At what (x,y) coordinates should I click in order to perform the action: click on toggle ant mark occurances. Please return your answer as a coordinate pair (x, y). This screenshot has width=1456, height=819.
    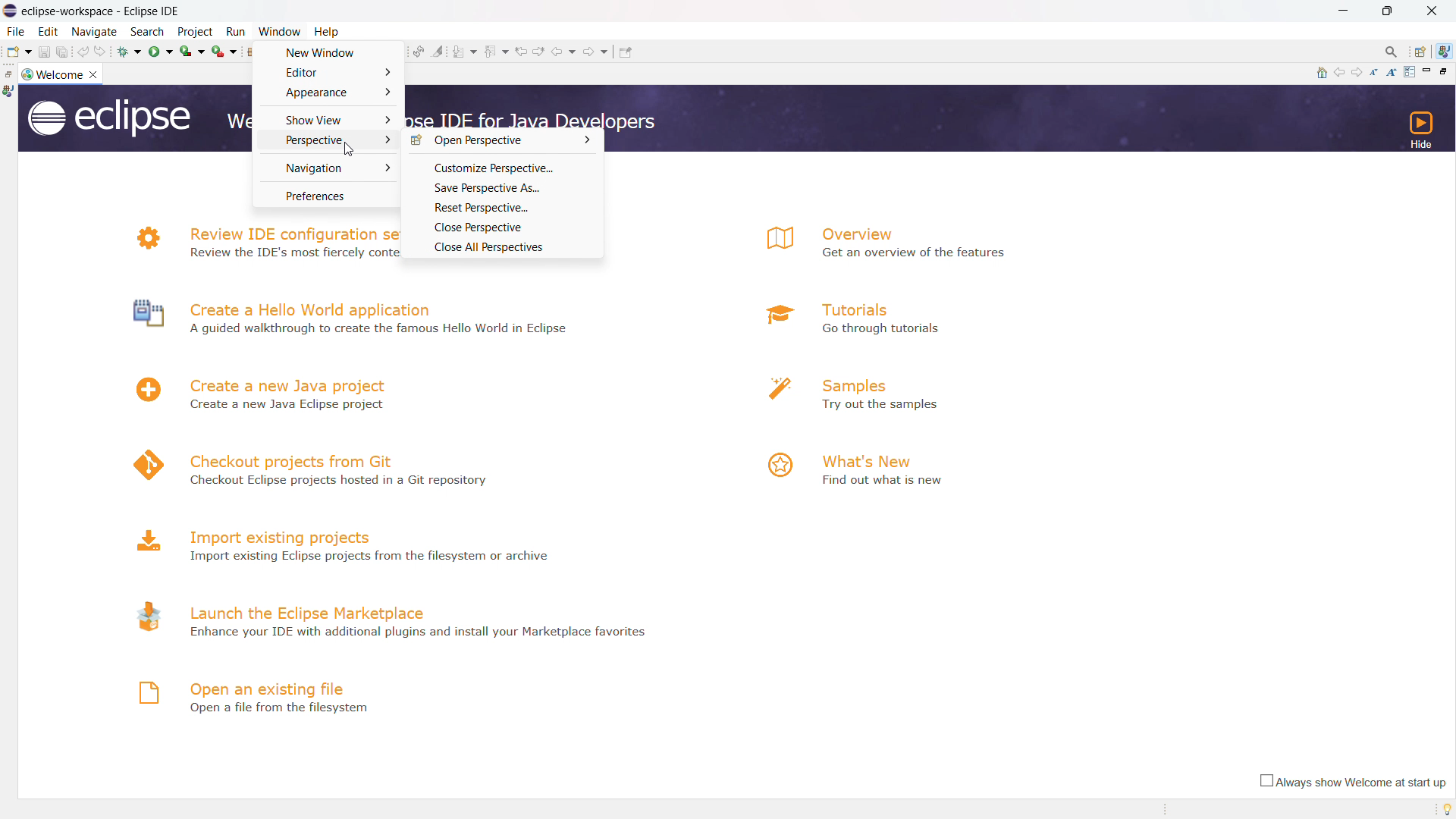
    Looking at the image, I should click on (438, 52).